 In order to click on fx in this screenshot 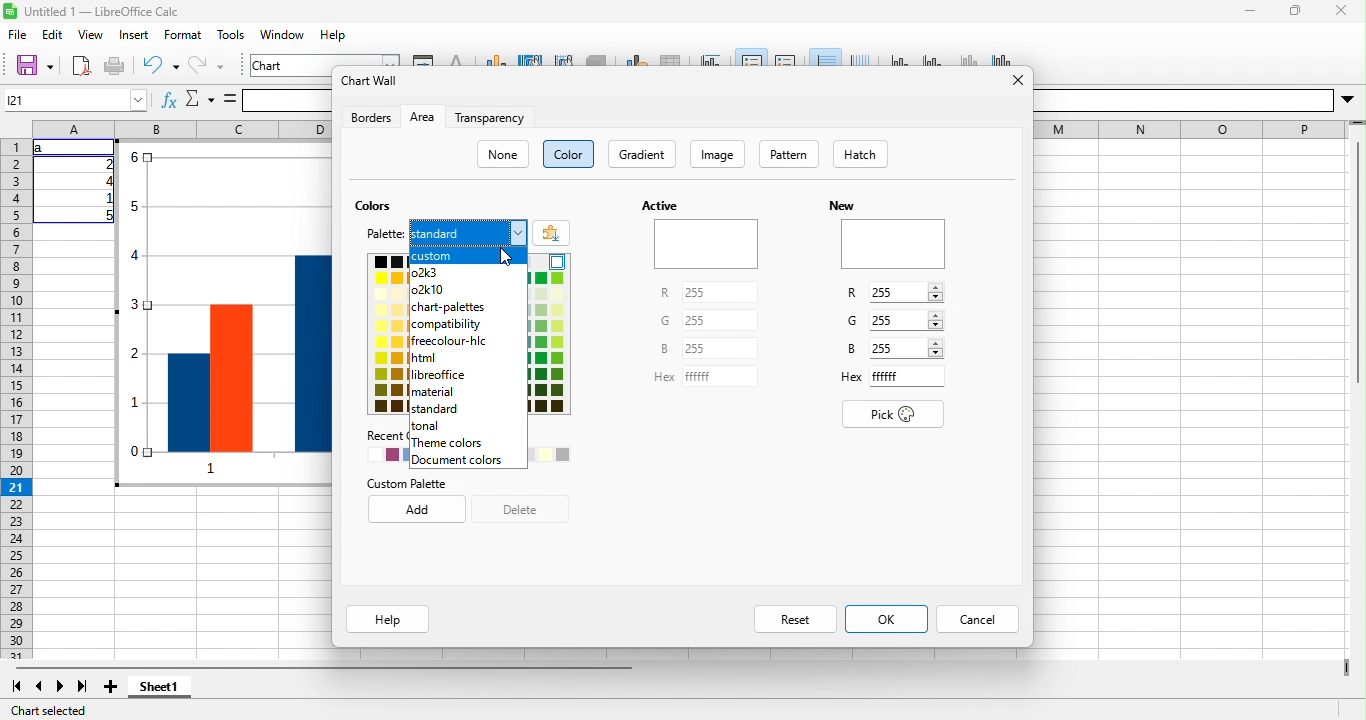, I will do `click(169, 99)`.